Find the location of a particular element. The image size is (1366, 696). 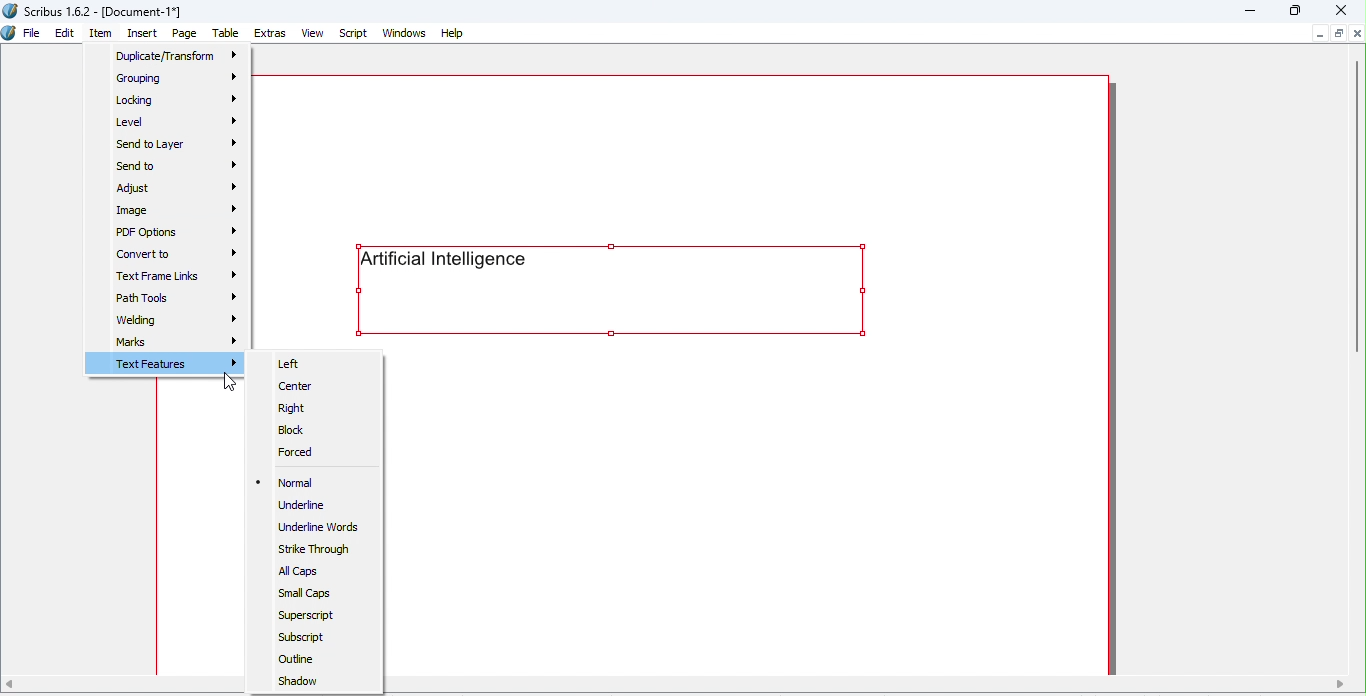

Shadow is located at coordinates (299, 683).